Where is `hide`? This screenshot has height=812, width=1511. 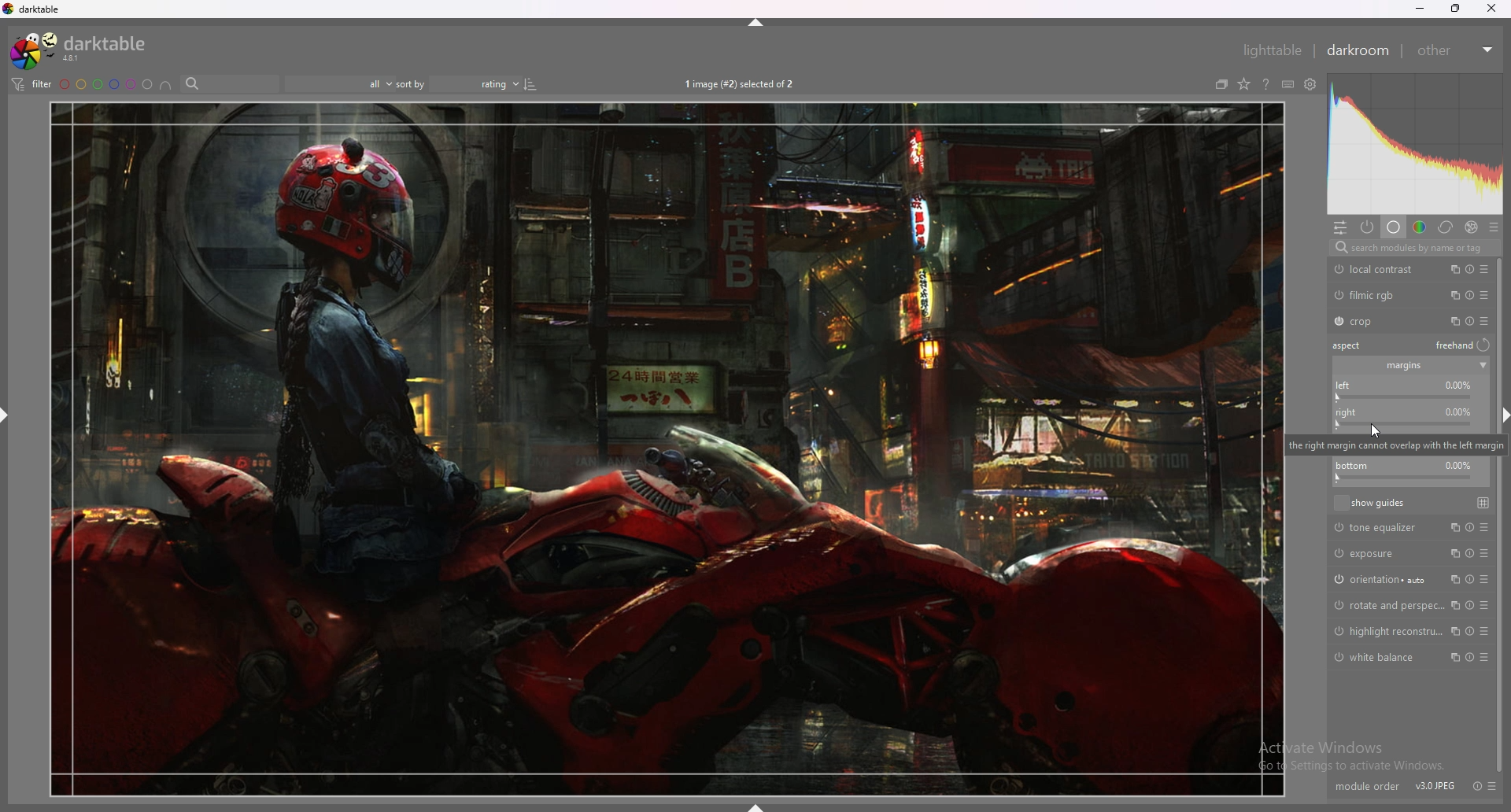 hide is located at coordinates (6, 416).